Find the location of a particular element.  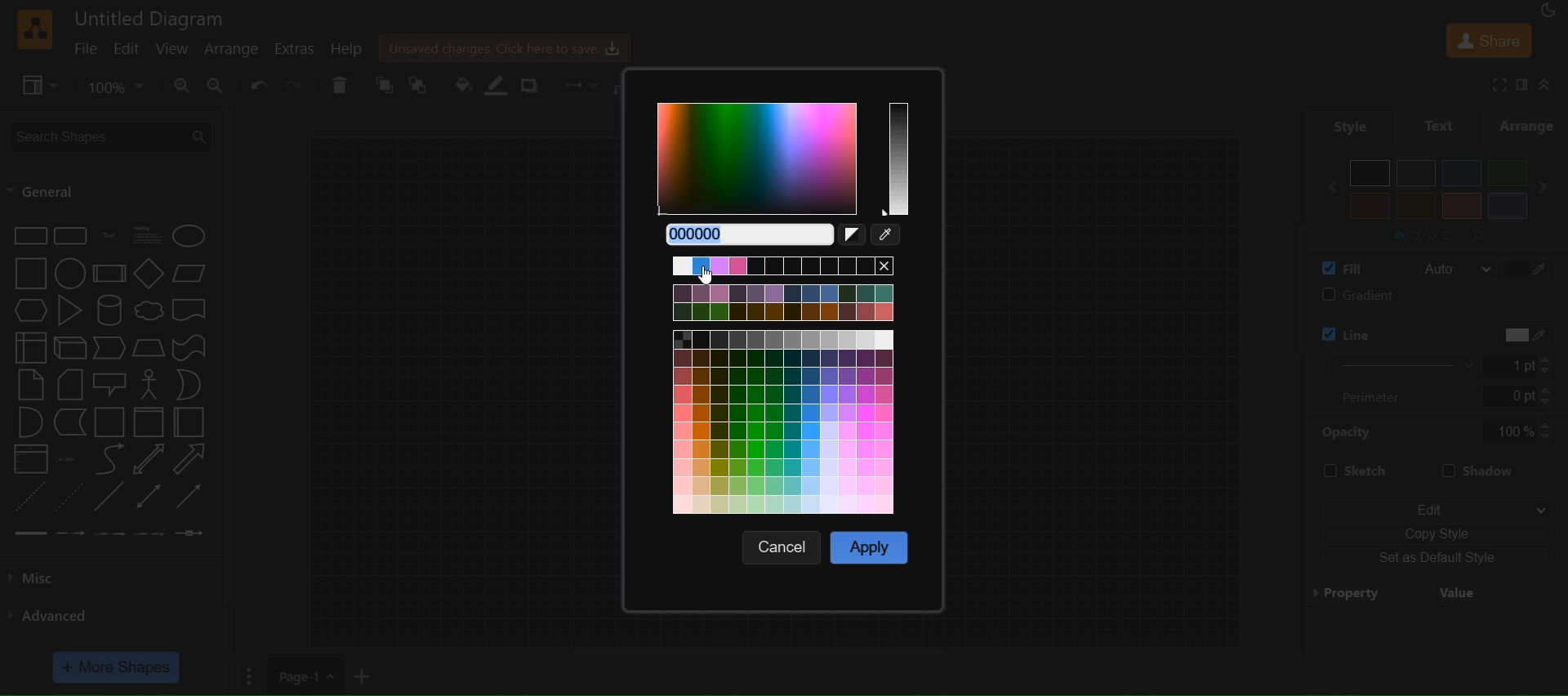

use black and white is located at coordinates (854, 237).